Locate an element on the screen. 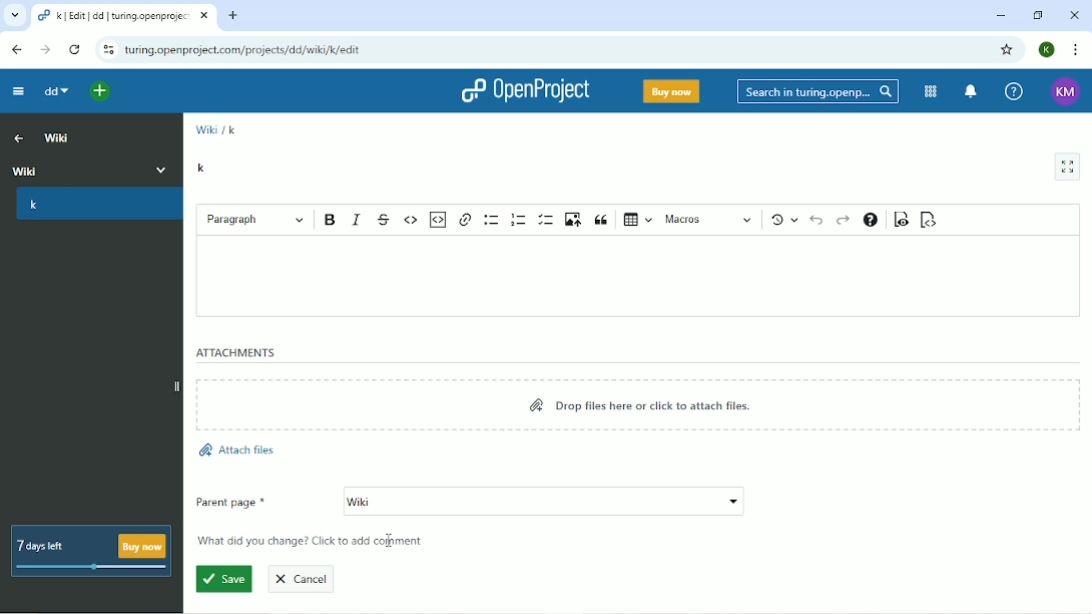  To notification center is located at coordinates (971, 91).